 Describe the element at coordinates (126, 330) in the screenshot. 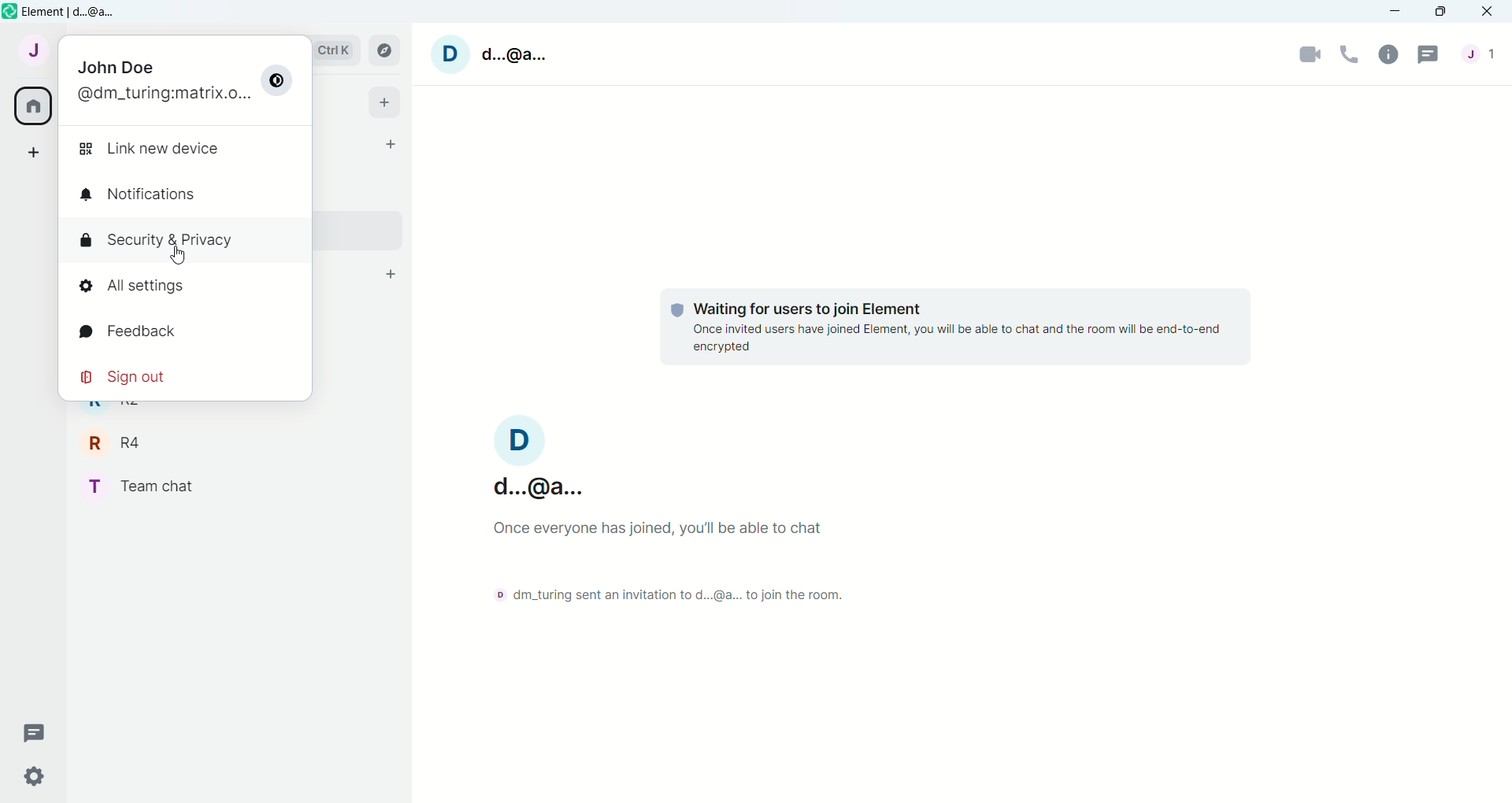

I see `Feedback` at that location.